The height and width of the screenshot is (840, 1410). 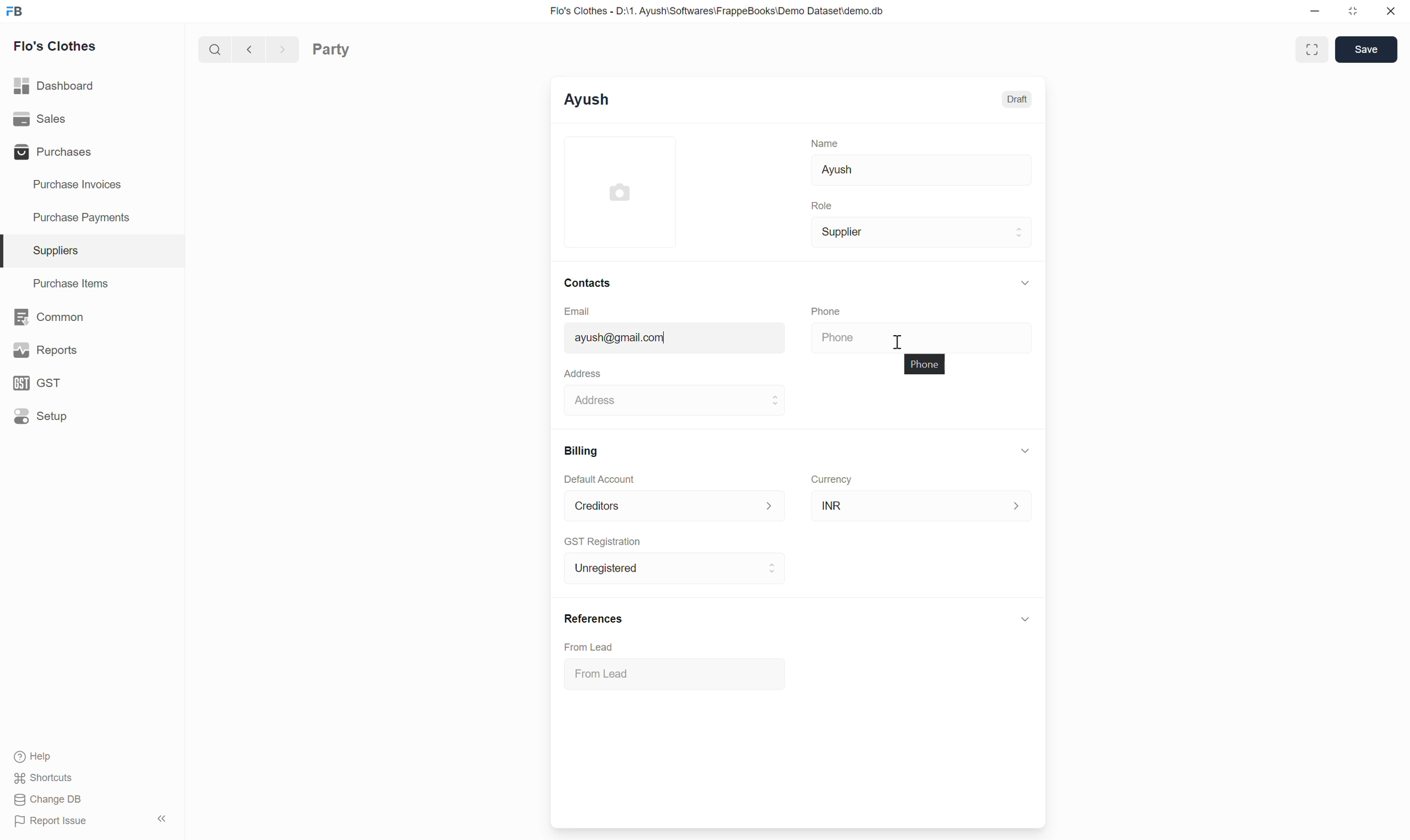 I want to click on Currency, so click(x=832, y=480).